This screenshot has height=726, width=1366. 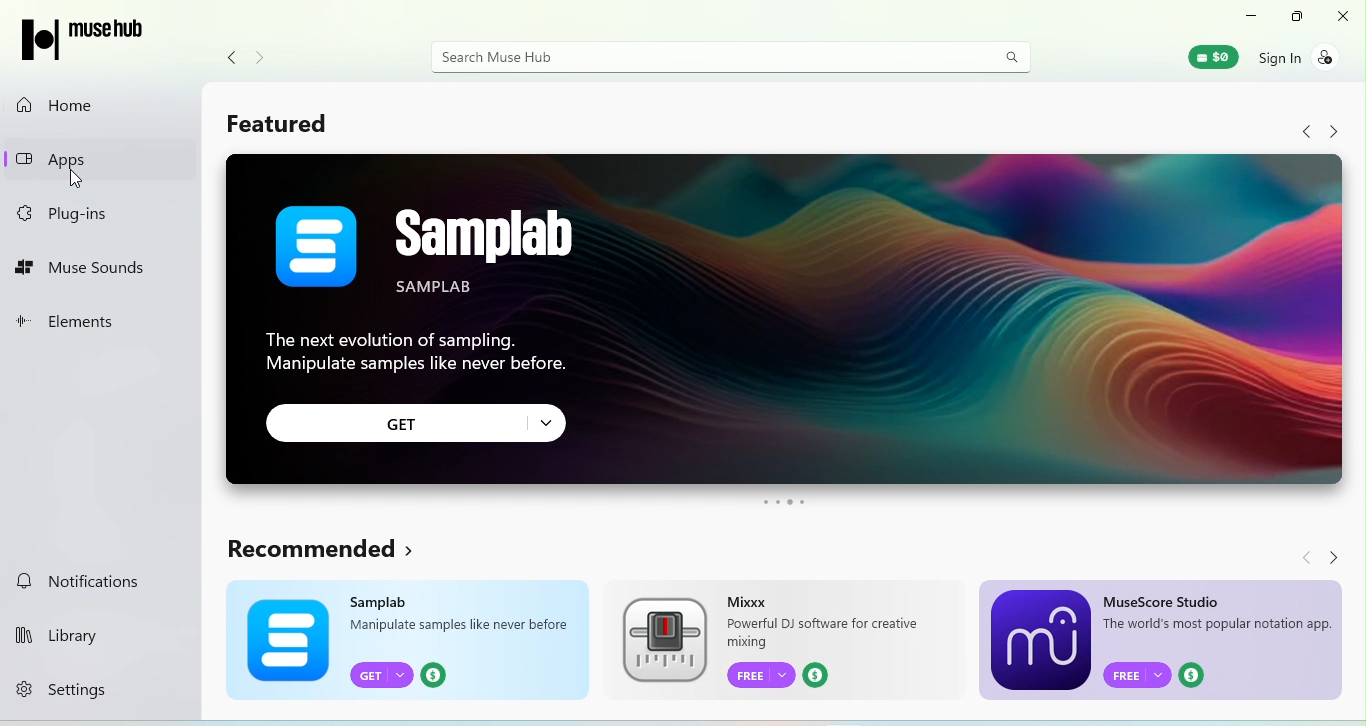 What do you see at coordinates (826, 633) in the screenshot?
I see `Powerful DJ software for creative mixing` at bounding box center [826, 633].